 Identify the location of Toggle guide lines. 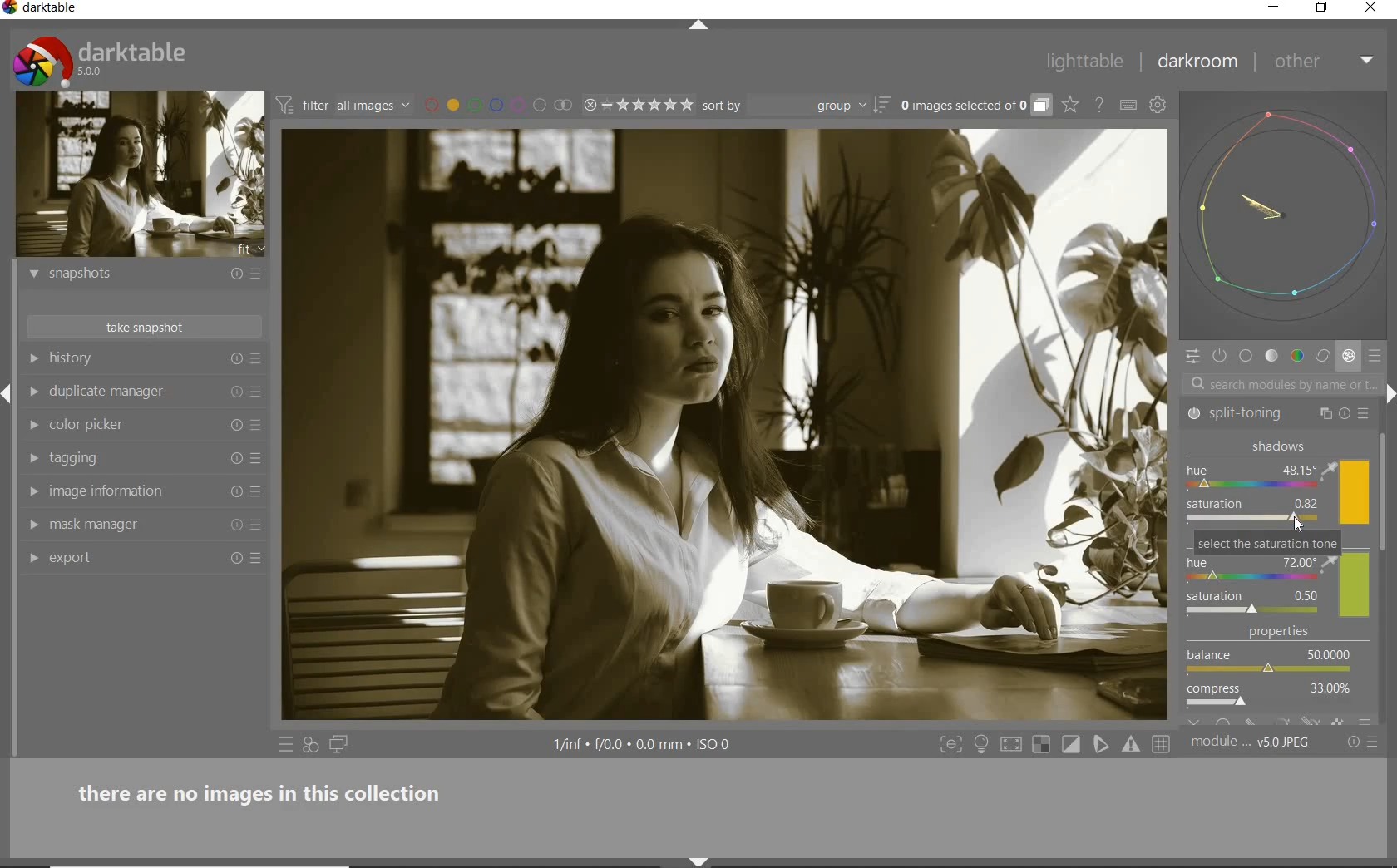
(1163, 743).